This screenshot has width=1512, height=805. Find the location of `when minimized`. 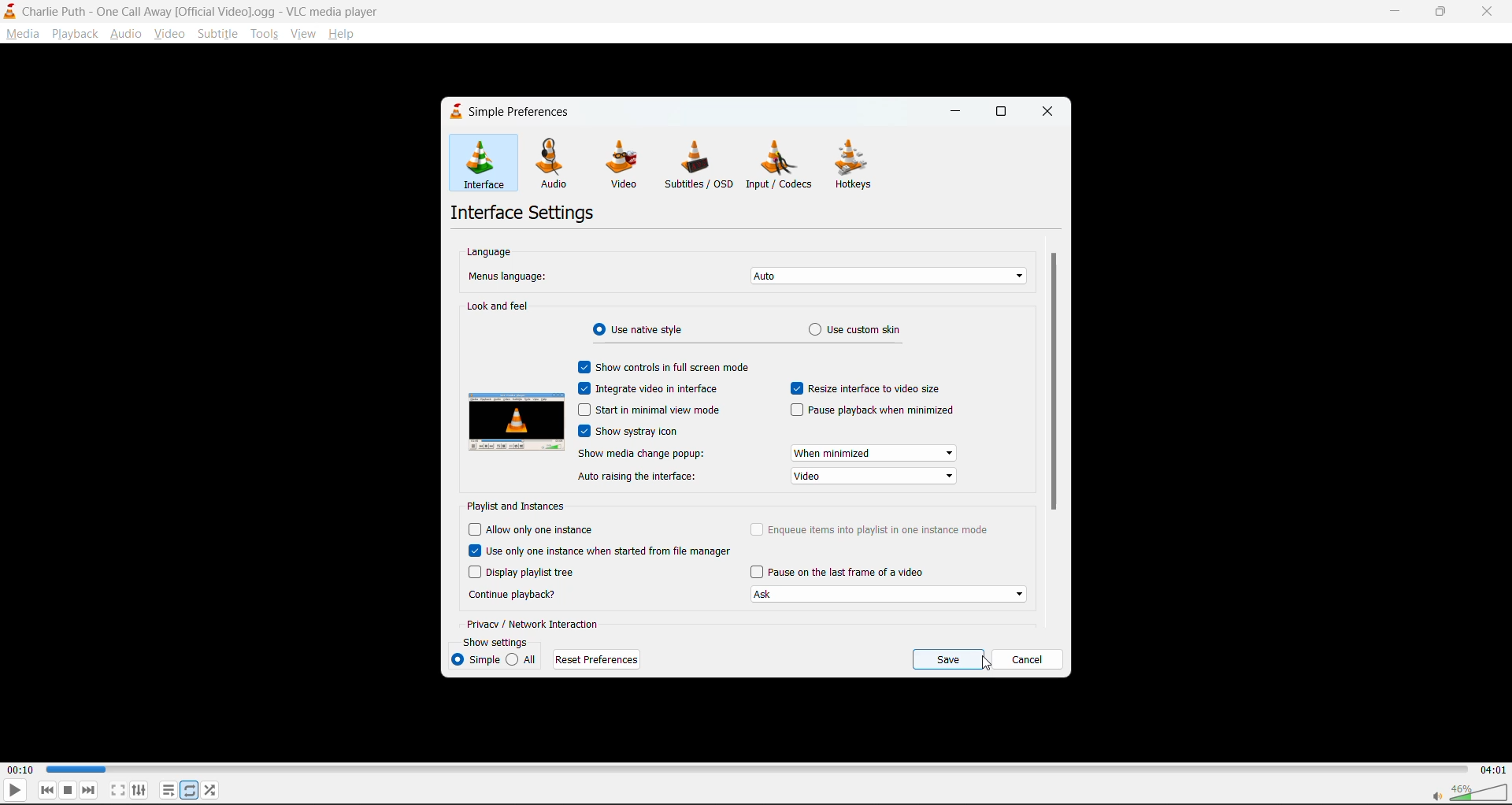

when minimized is located at coordinates (876, 452).